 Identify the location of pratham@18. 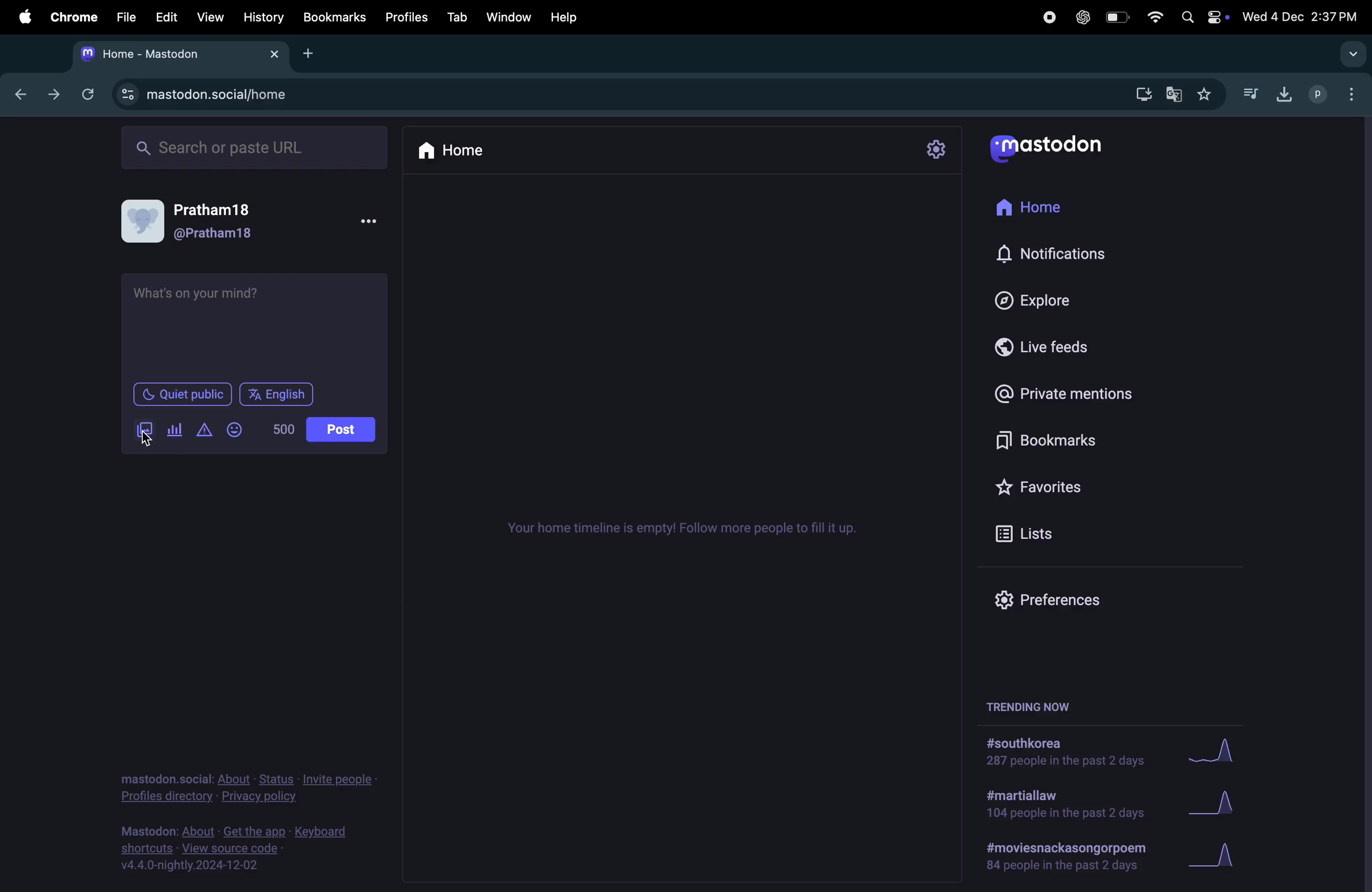
(198, 225).